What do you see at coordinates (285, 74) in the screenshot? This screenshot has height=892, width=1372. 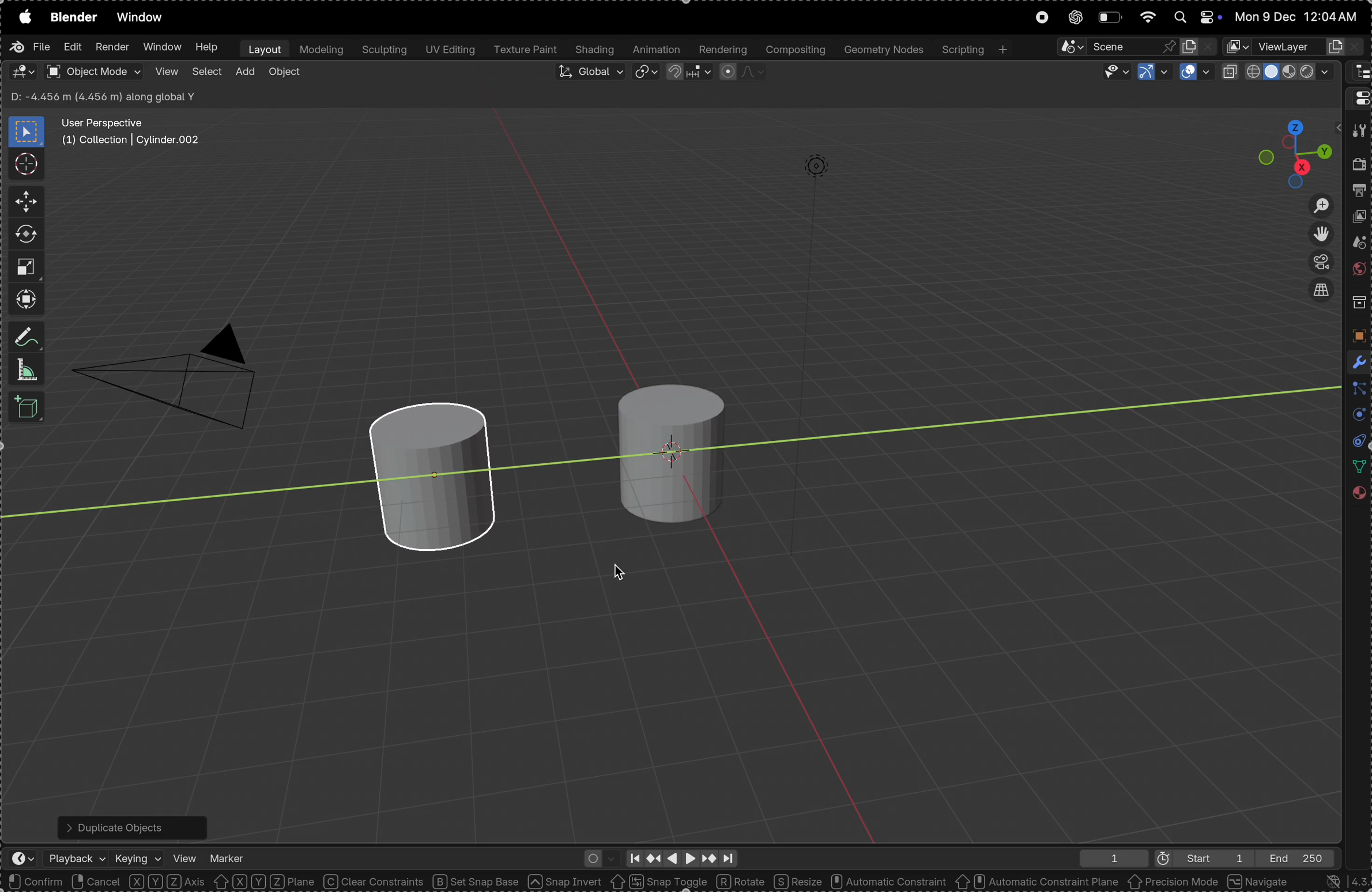 I see `object` at bounding box center [285, 74].